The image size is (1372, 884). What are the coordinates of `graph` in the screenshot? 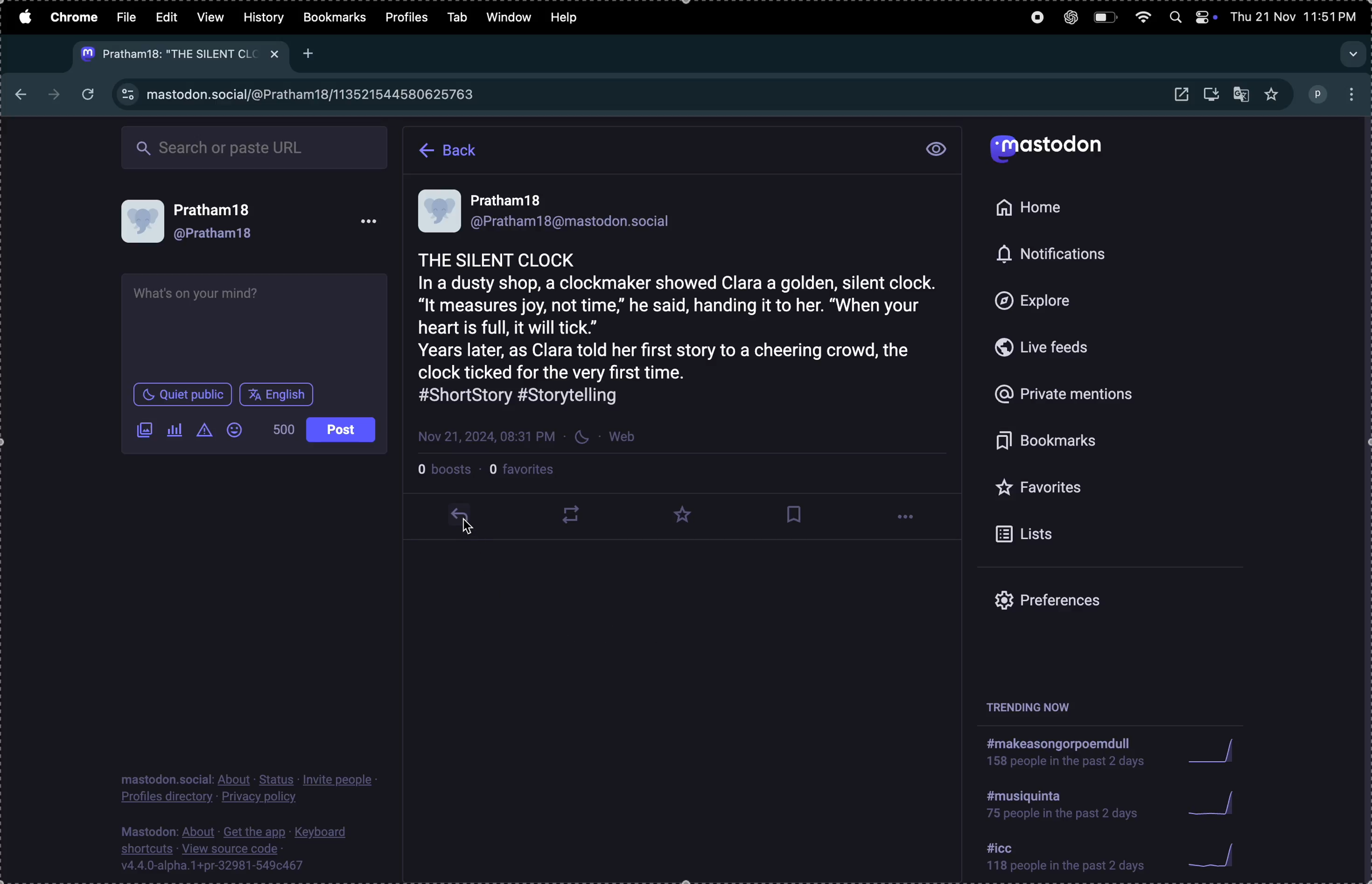 It's located at (1219, 855).